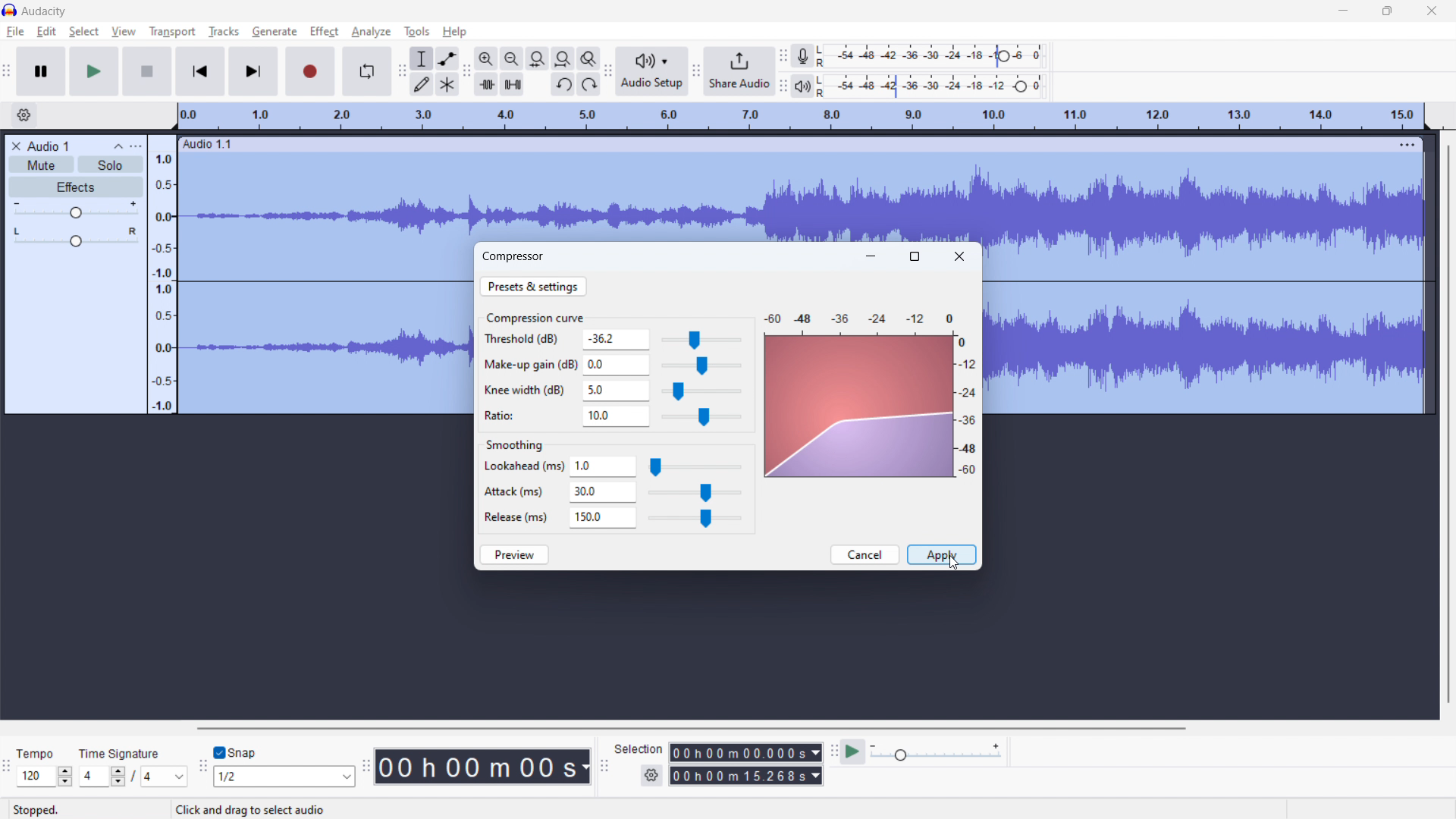 This screenshot has height=819, width=1456. I want to click on share audio toolbar, so click(696, 71).